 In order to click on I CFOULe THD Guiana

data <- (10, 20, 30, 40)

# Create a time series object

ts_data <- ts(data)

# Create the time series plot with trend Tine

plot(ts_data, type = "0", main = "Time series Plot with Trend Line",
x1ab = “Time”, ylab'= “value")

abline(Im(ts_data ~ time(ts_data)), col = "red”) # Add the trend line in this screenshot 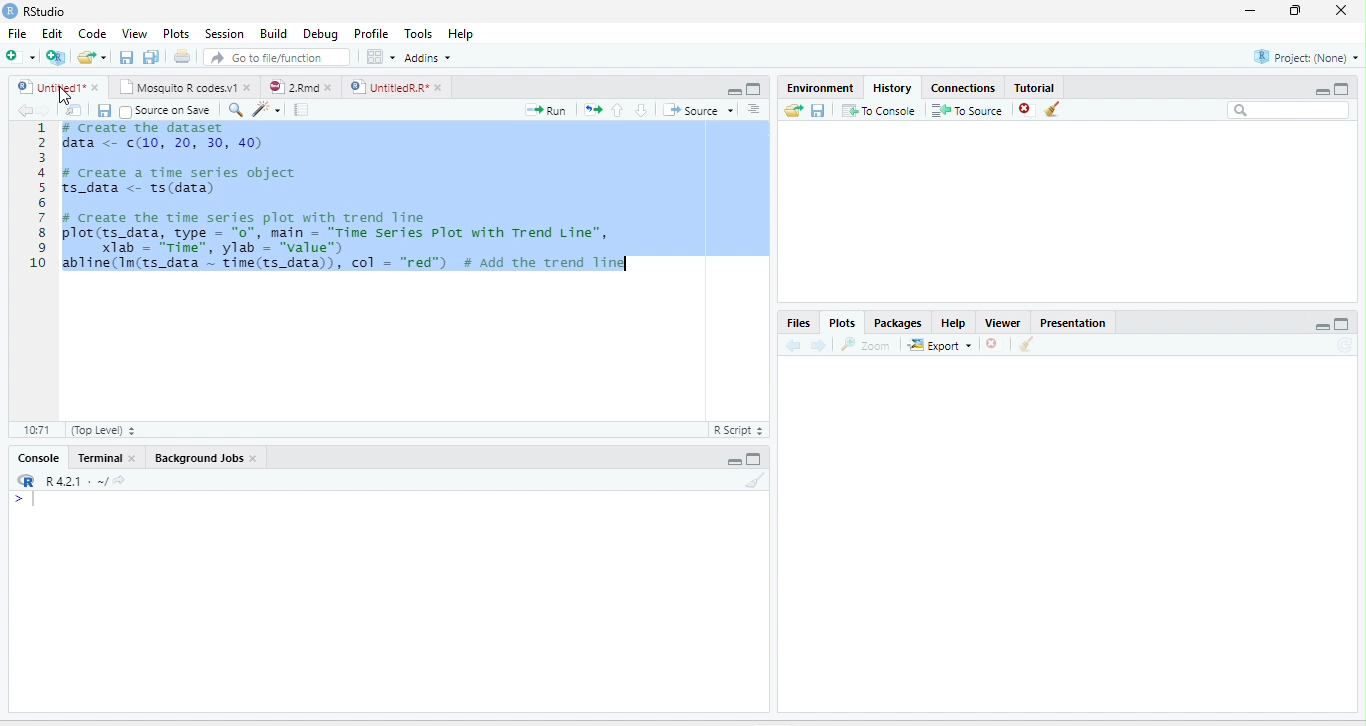, I will do `click(347, 199)`.